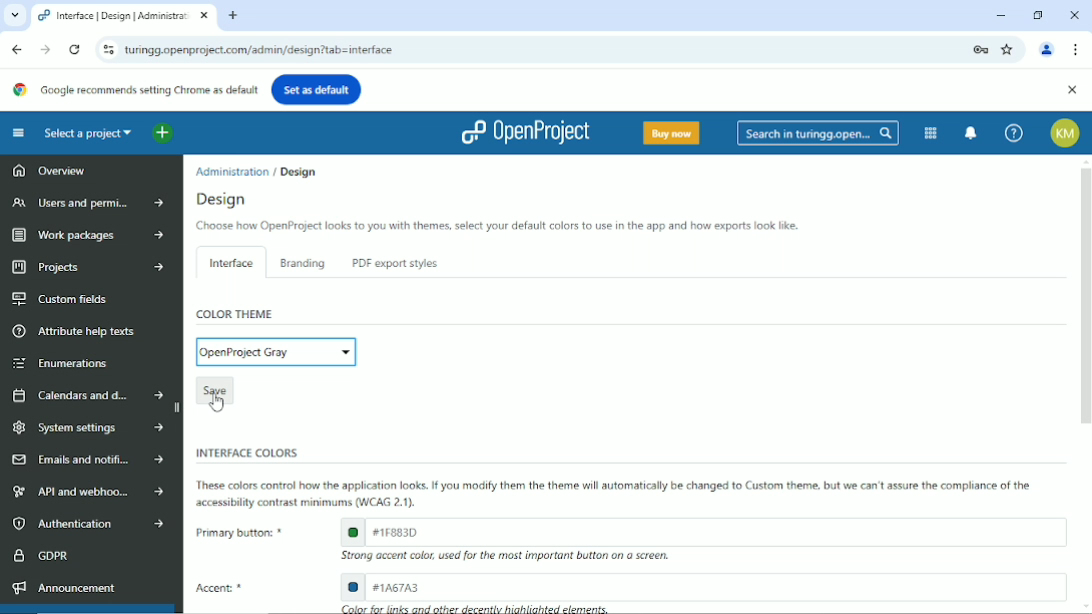 Image resolution: width=1092 pixels, height=614 pixels. I want to click on ll accessibility contrast minimums (WCAG 2.1)., so click(307, 503).